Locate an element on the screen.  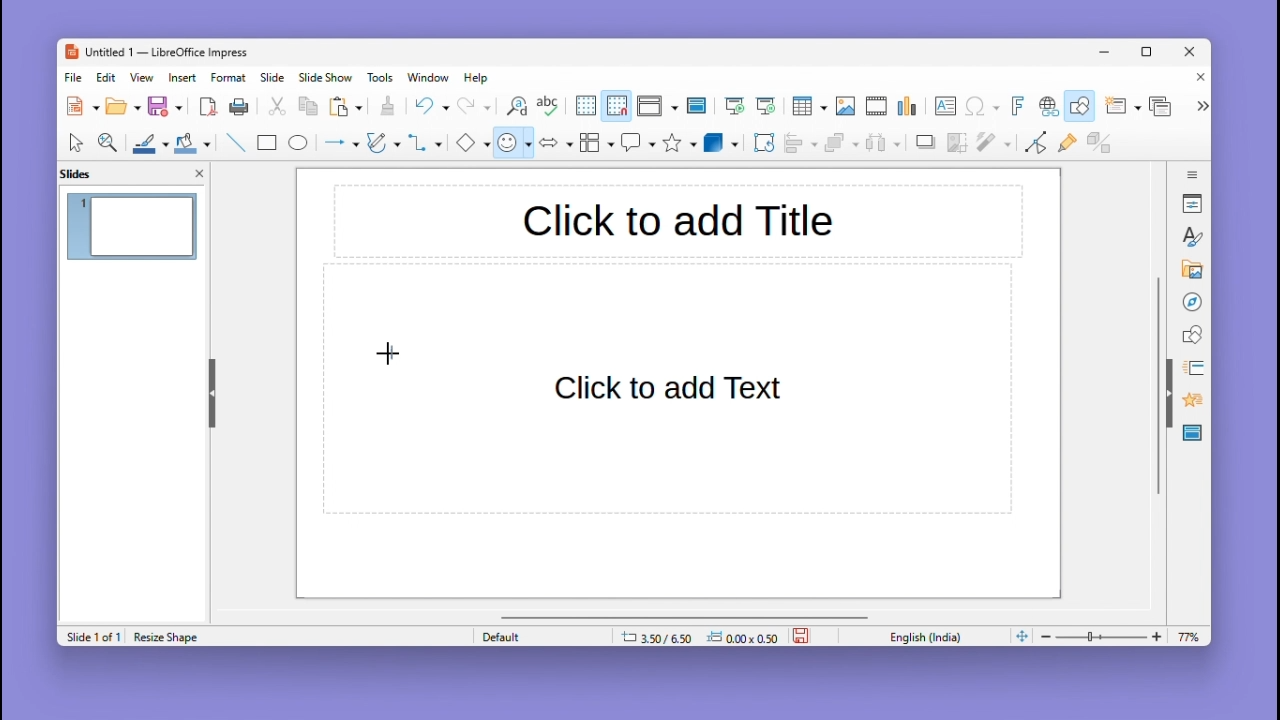
snap to grid is located at coordinates (616, 106).